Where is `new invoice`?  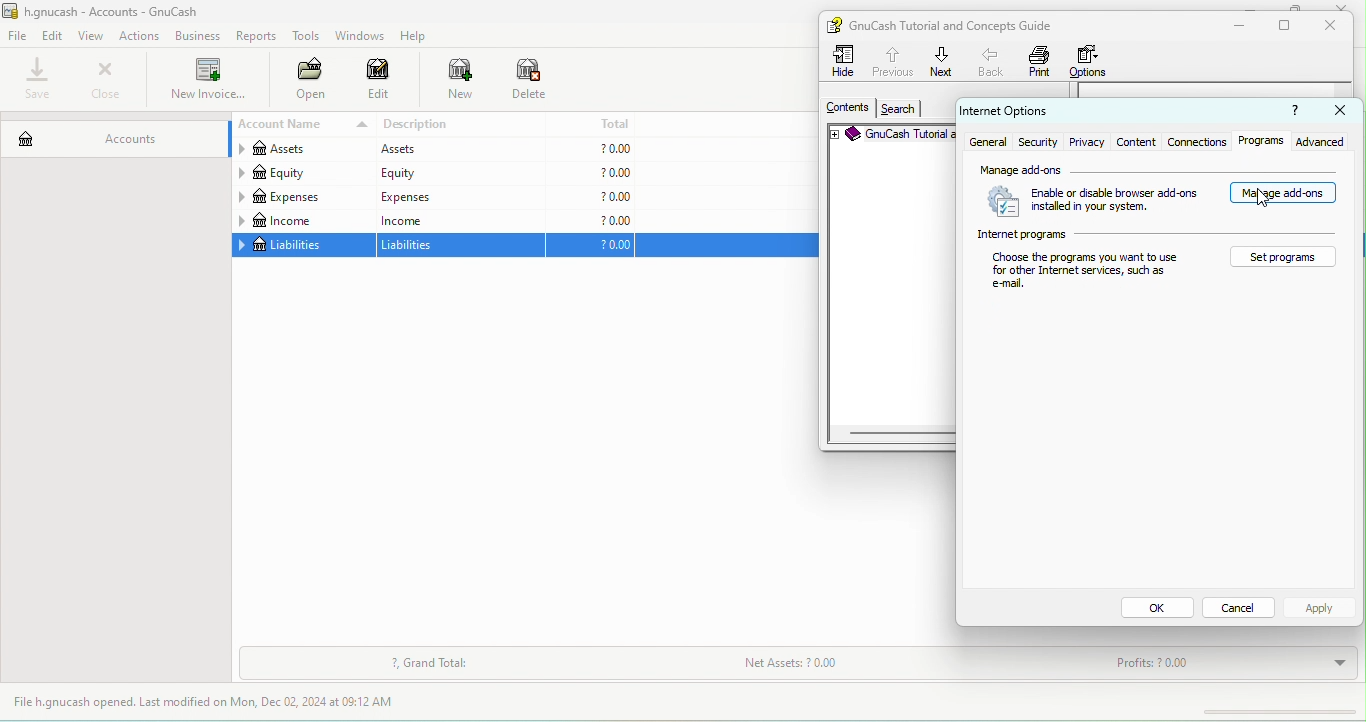
new invoice is located at coordinates (206, 81).